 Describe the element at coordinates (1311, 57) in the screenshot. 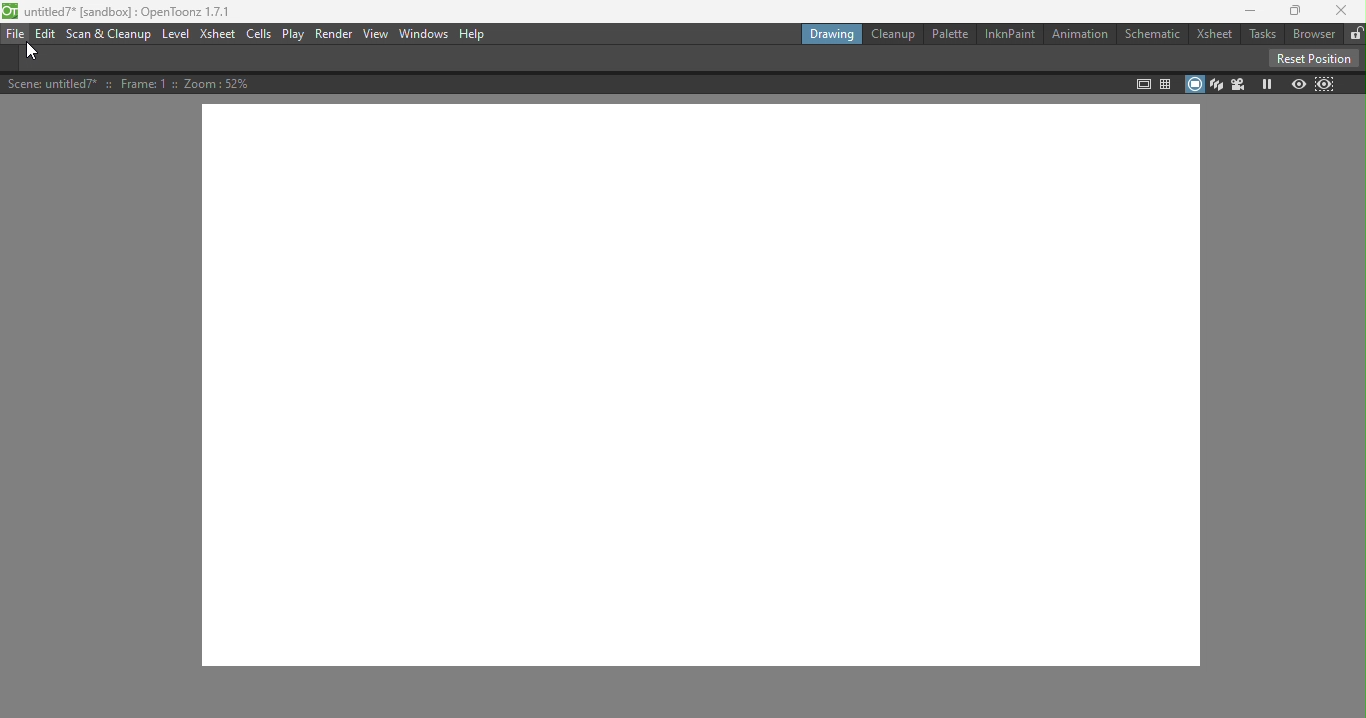

I see `Reset position` at that location.